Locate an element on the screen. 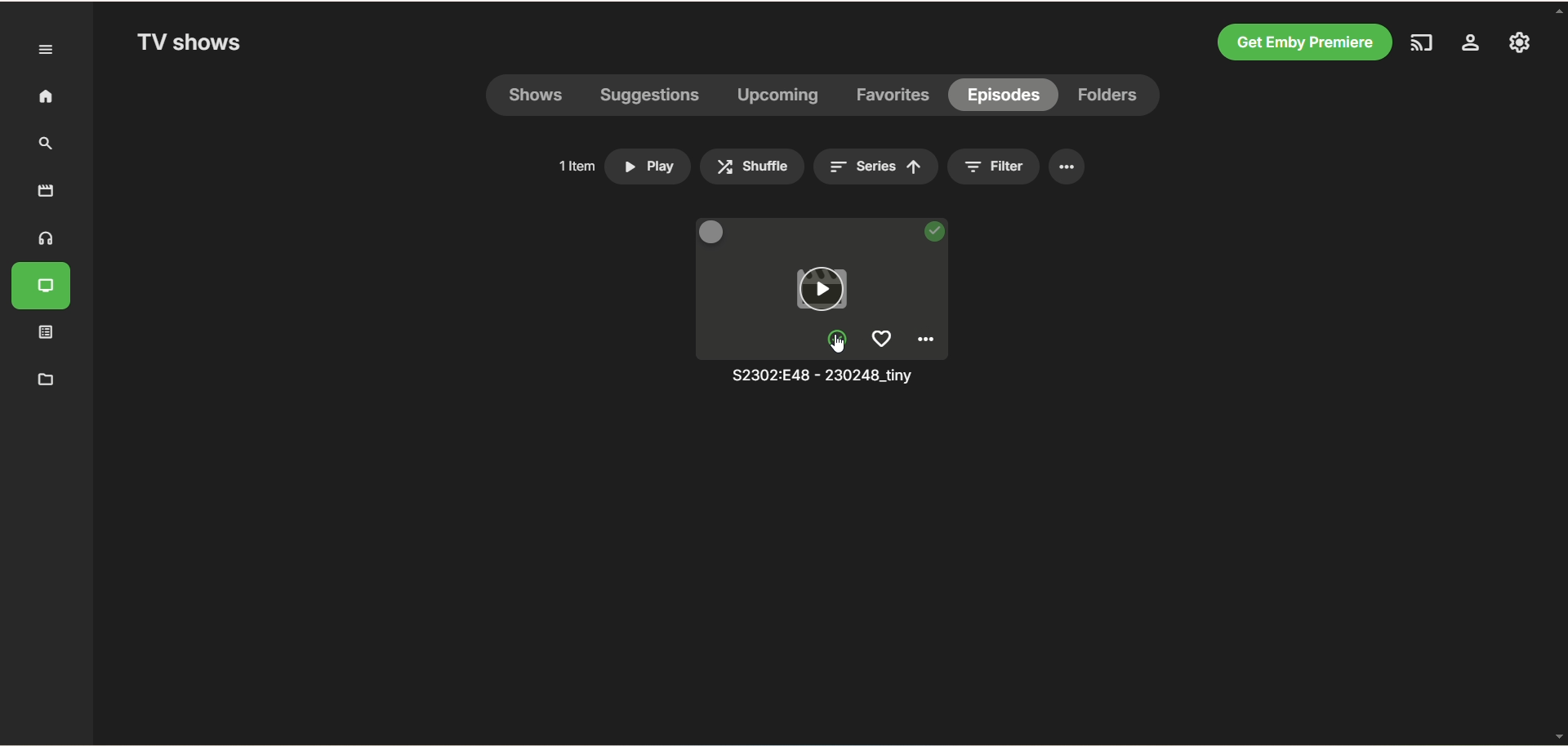  home is located at coordinates (40, 97).